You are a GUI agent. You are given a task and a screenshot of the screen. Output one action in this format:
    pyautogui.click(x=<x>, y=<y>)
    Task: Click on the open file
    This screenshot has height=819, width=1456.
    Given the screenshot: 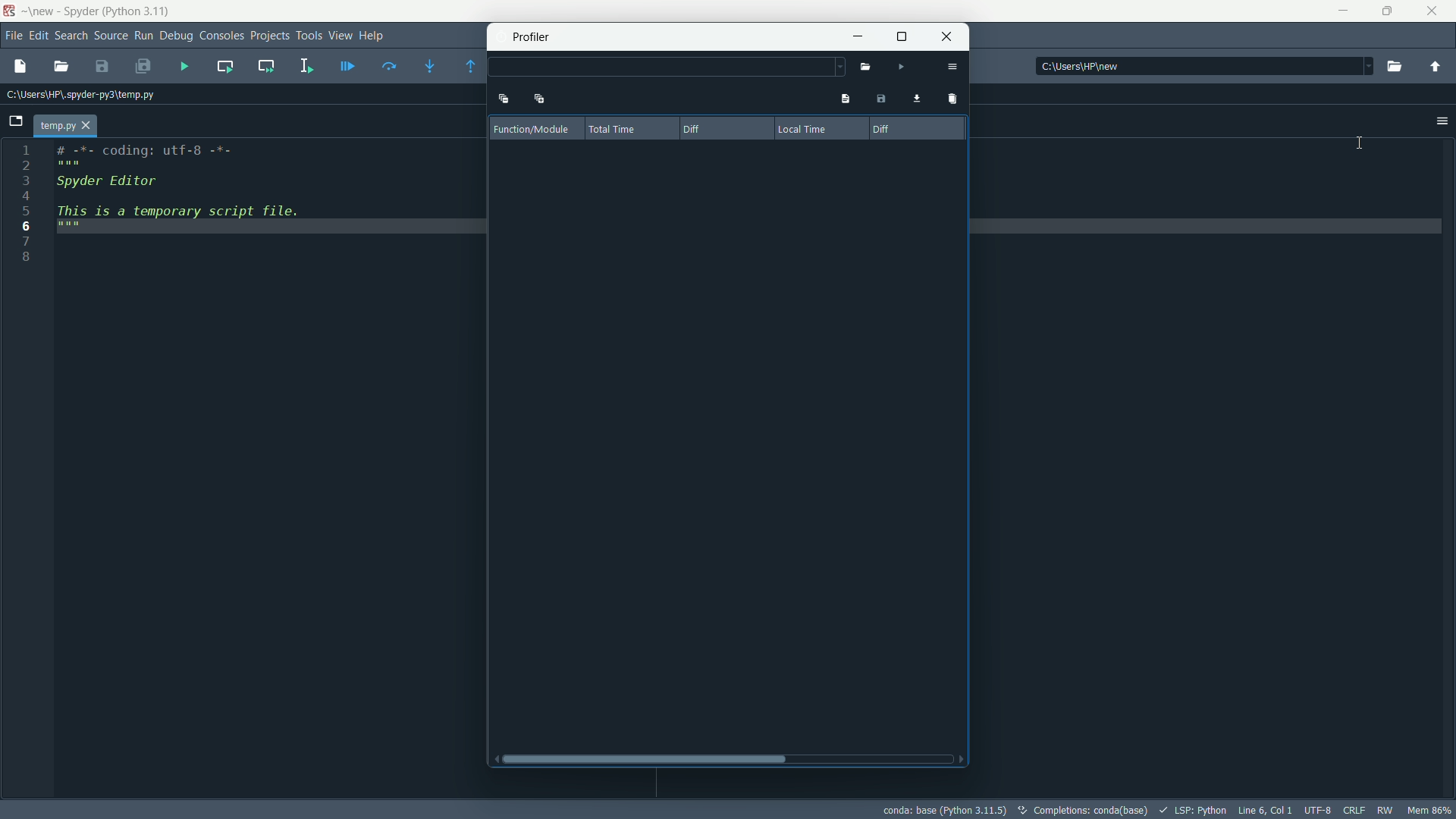 What is the action you would take?
    pyautogui.click(x=868, y=67)
    